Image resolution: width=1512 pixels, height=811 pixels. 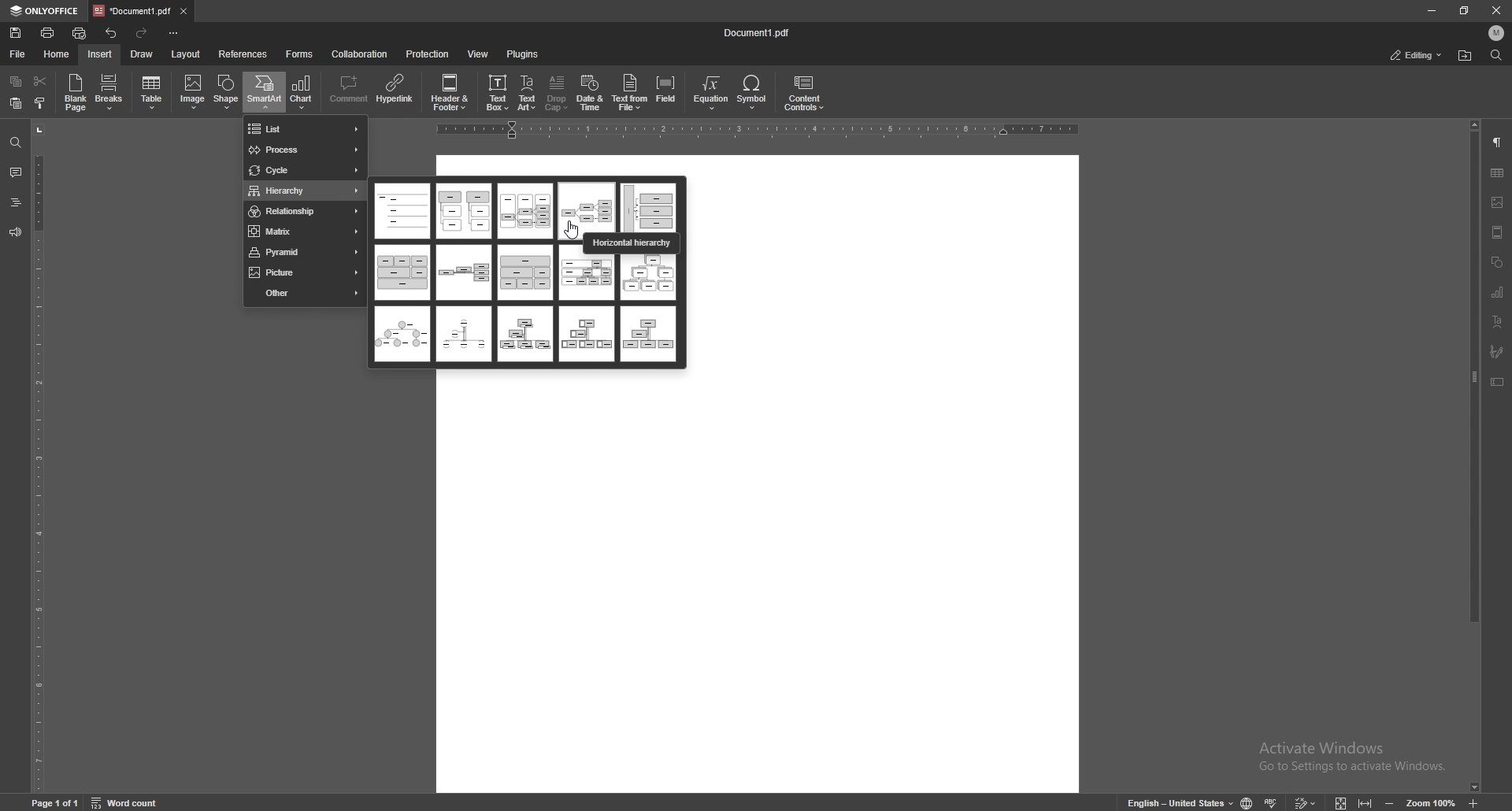 What do you see at coordinates (300, 54) in the screenshot?
I see `forms` at bounding box center [300, 54].